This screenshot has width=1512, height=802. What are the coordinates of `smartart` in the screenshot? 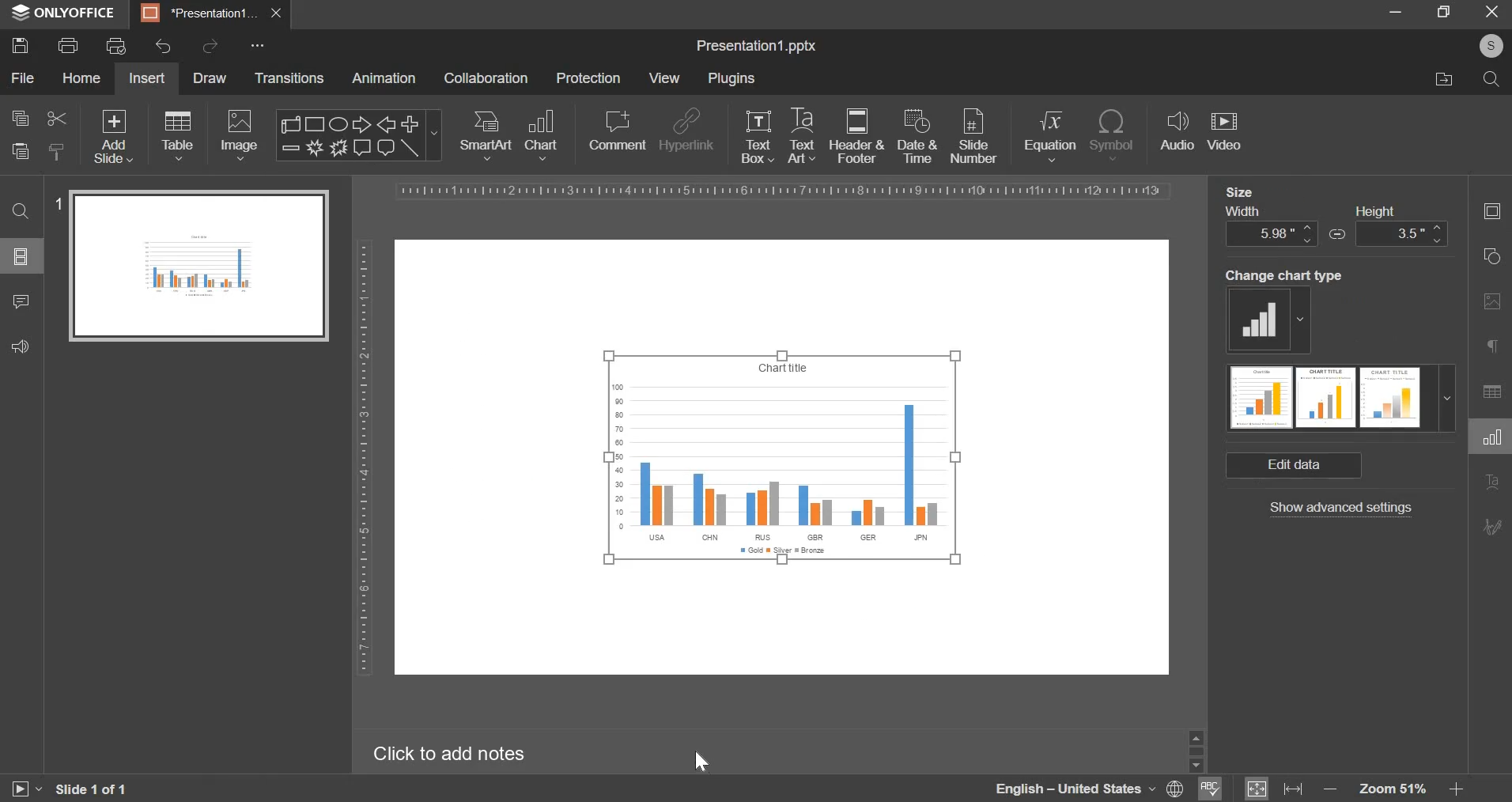 It's located at (486, 134).